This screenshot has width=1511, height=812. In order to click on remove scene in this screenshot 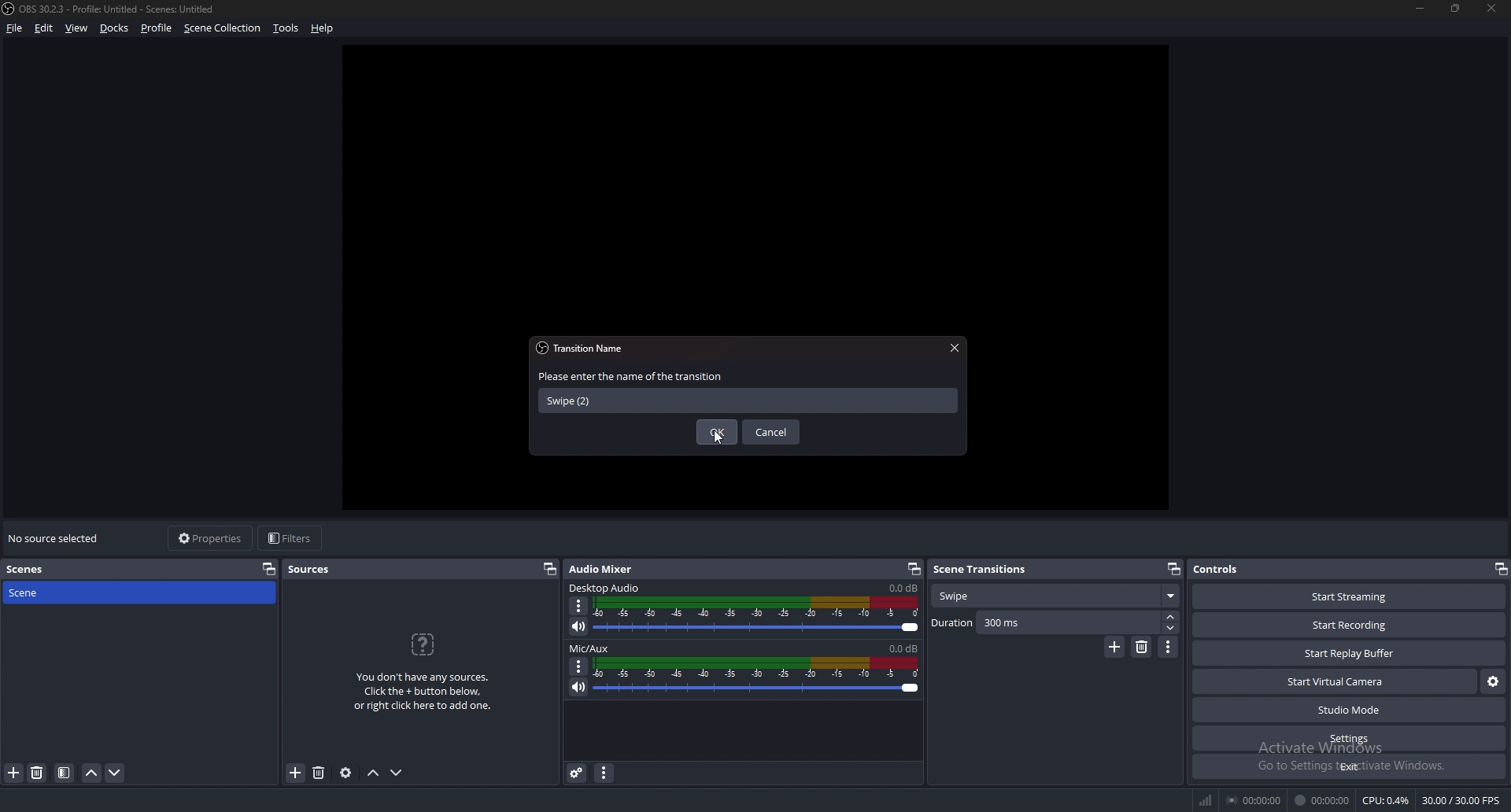, I will do `click(39, 772)`.